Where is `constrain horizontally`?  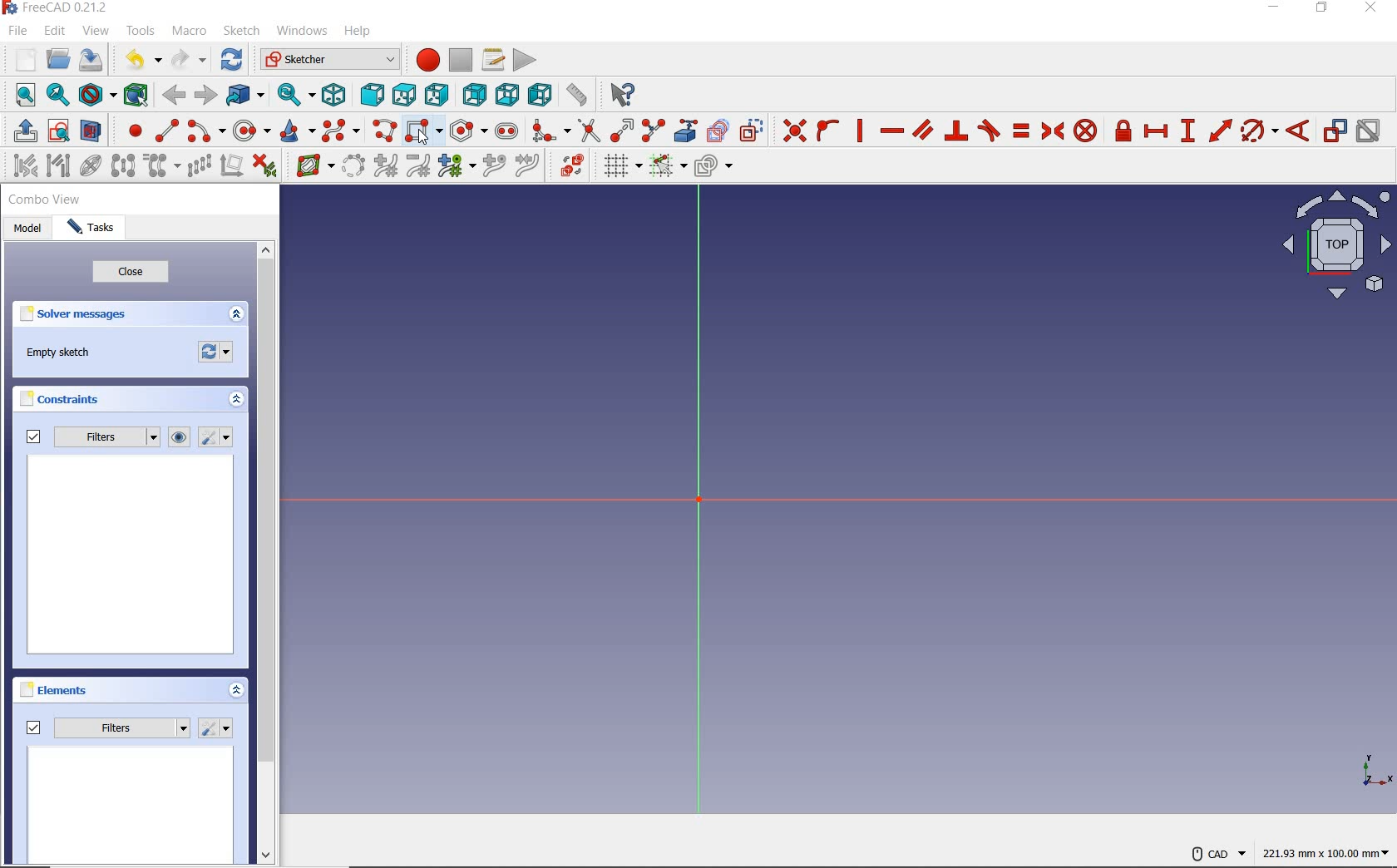 constrain horizontally is located at coordinates (891, 131).